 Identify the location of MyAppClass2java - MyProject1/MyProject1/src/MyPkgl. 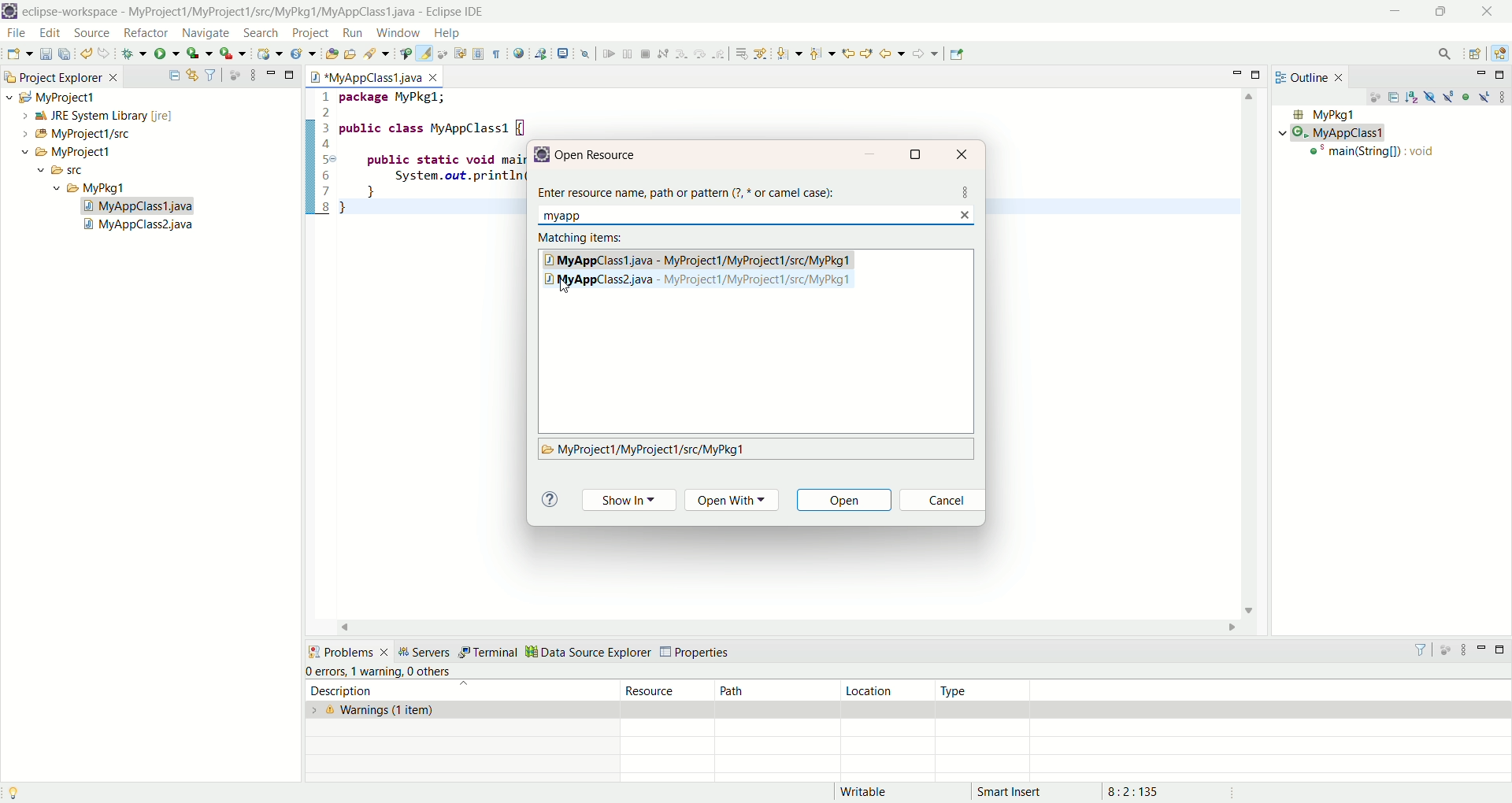
(710, 279).